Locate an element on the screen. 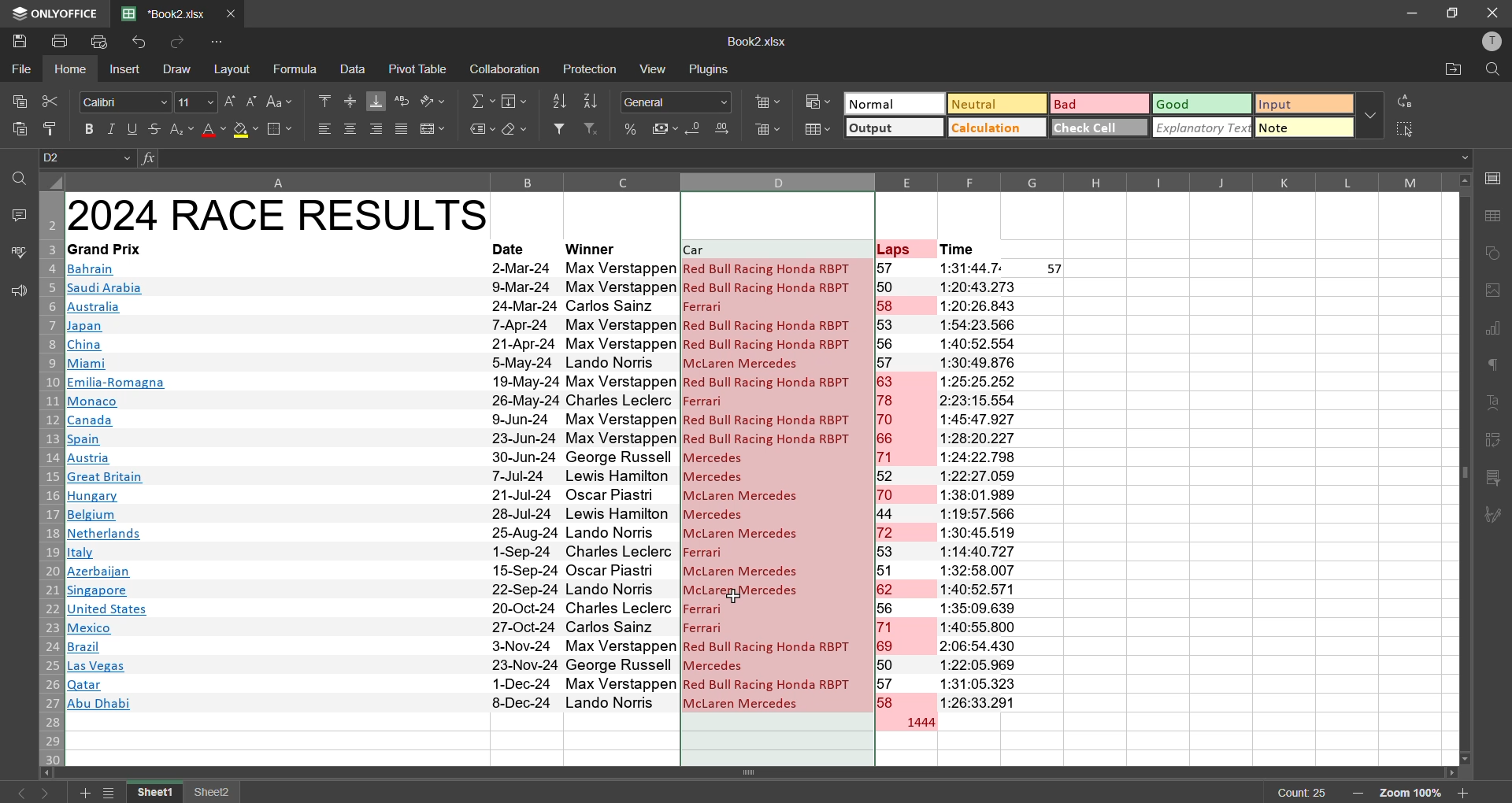 The image size is (1512, 803). file is located at coordinates (22, 67).